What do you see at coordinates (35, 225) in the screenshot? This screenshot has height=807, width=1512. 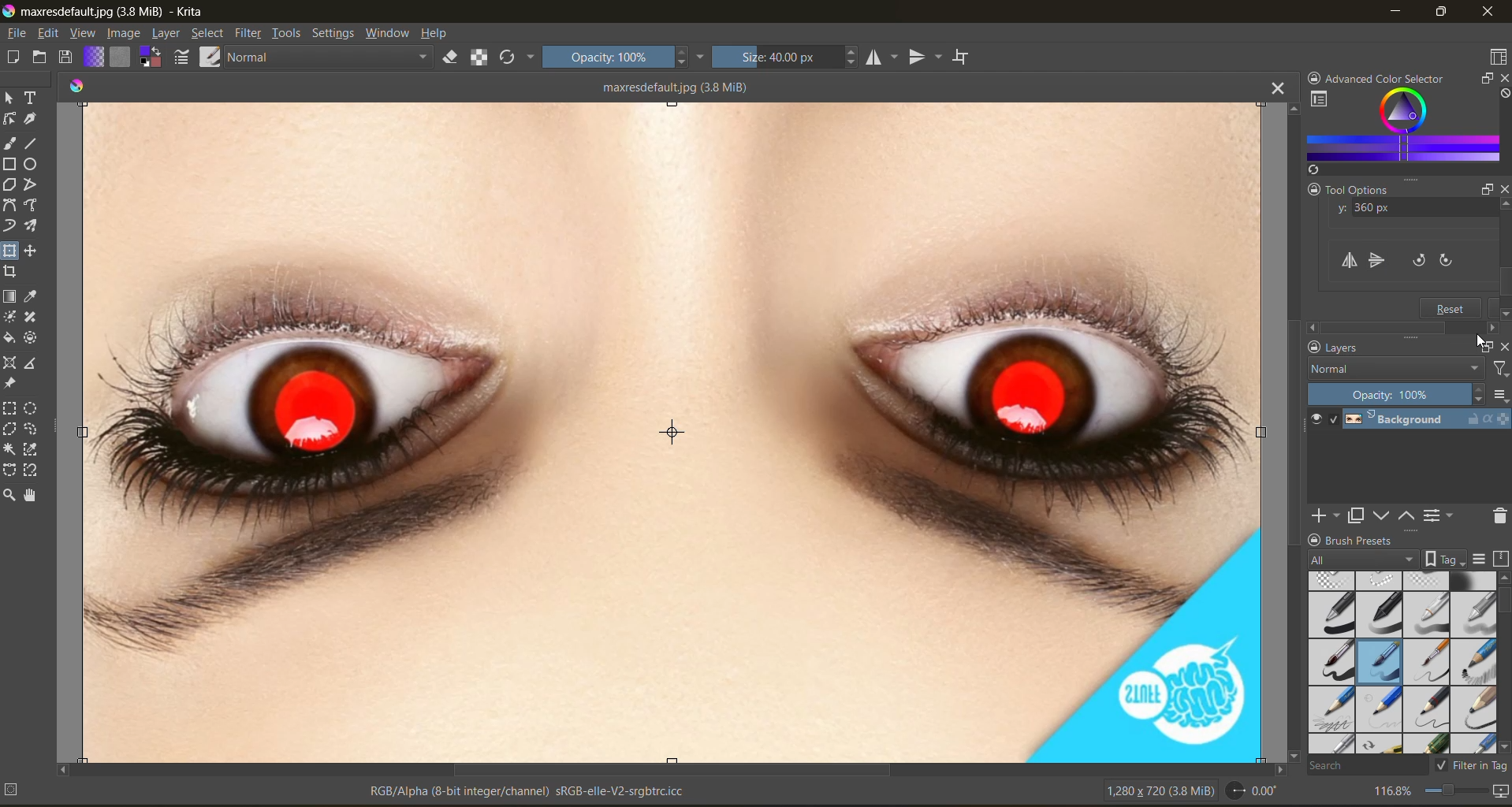 I see `tool` at bounding box center [35, 225].